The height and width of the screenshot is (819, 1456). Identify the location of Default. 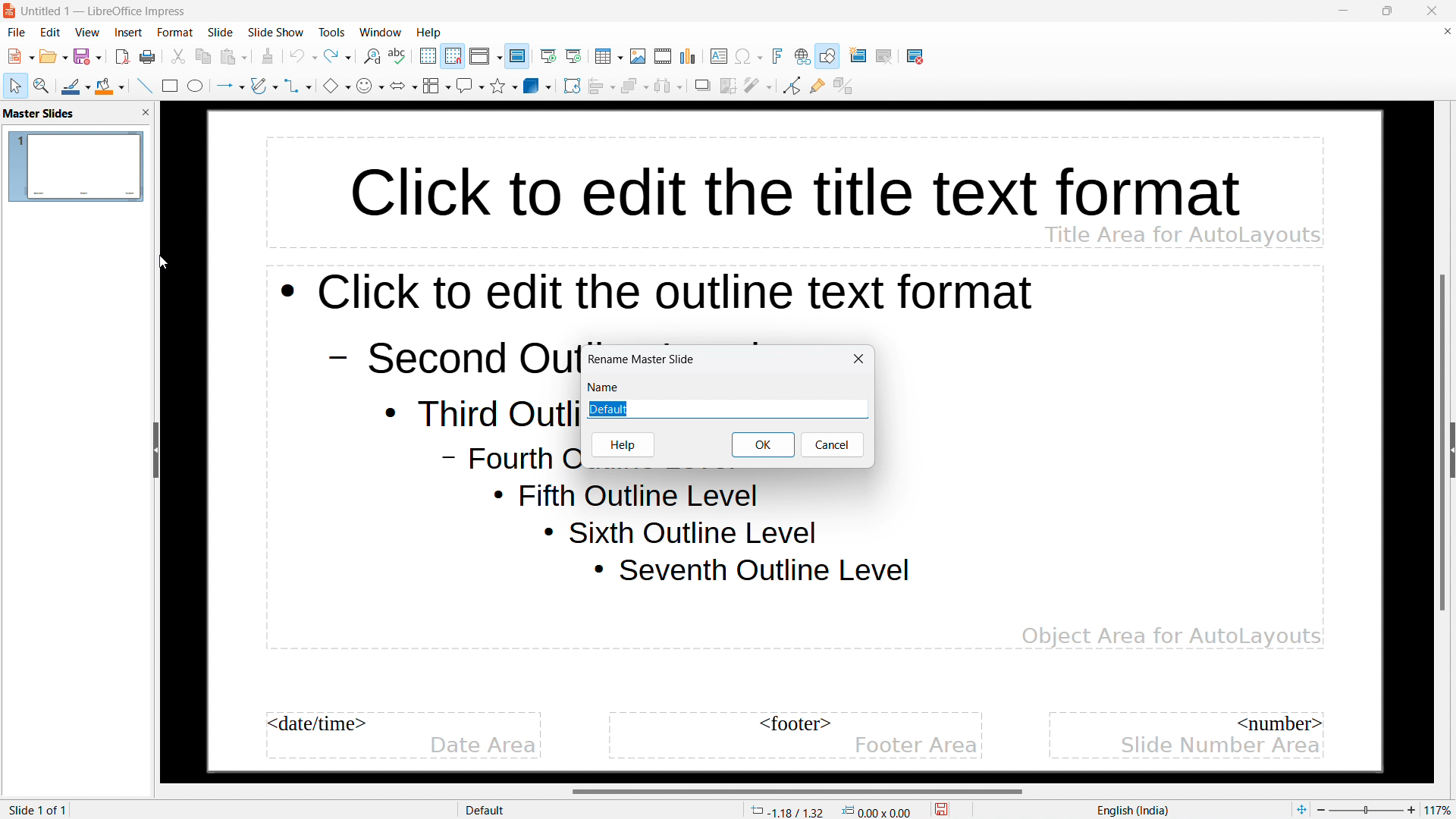
(487, 810).